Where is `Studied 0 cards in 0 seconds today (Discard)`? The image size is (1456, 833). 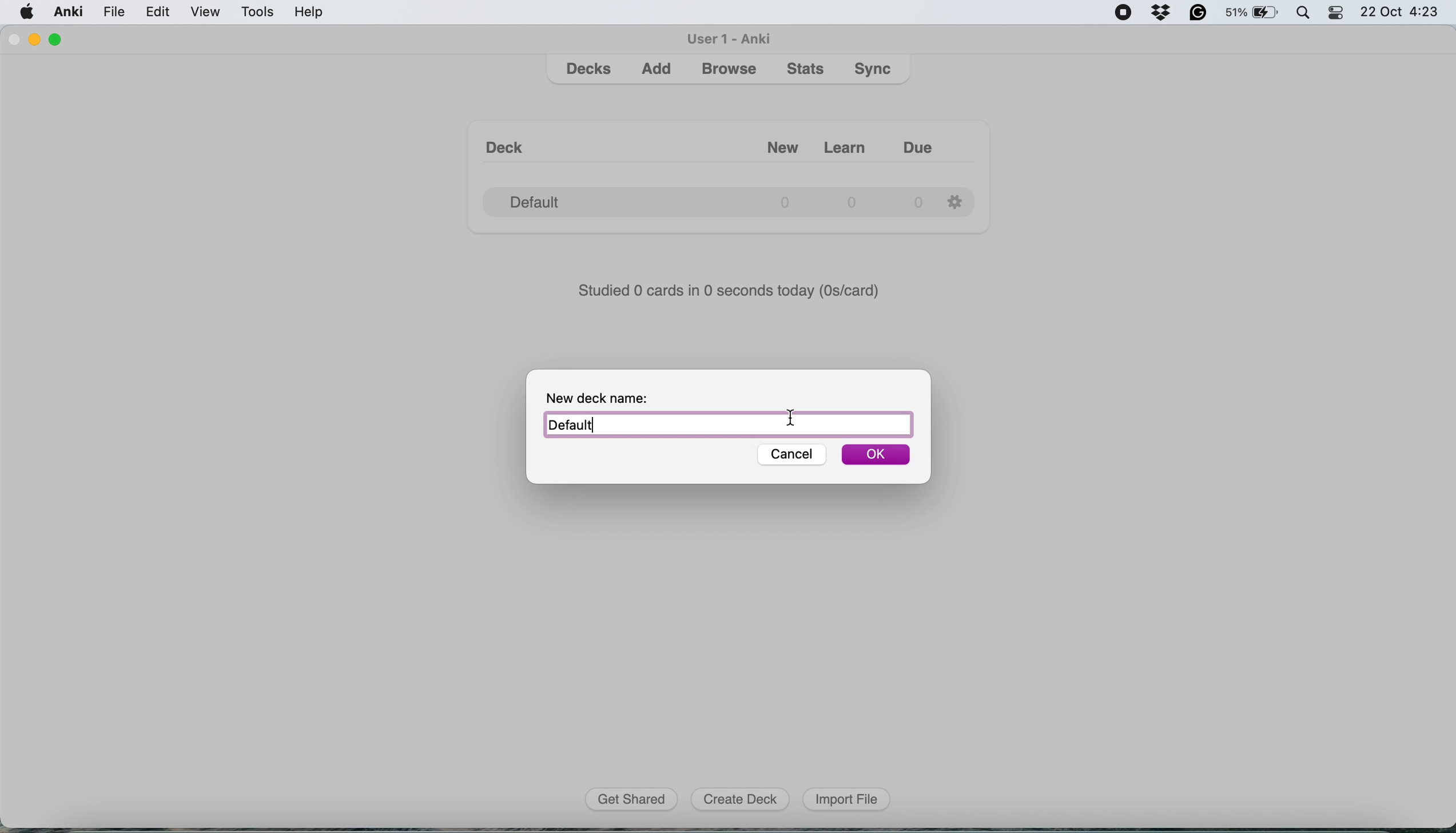 Studied 0 cards in 0 seconds today (Discard) is located at coordinates (730, 289).